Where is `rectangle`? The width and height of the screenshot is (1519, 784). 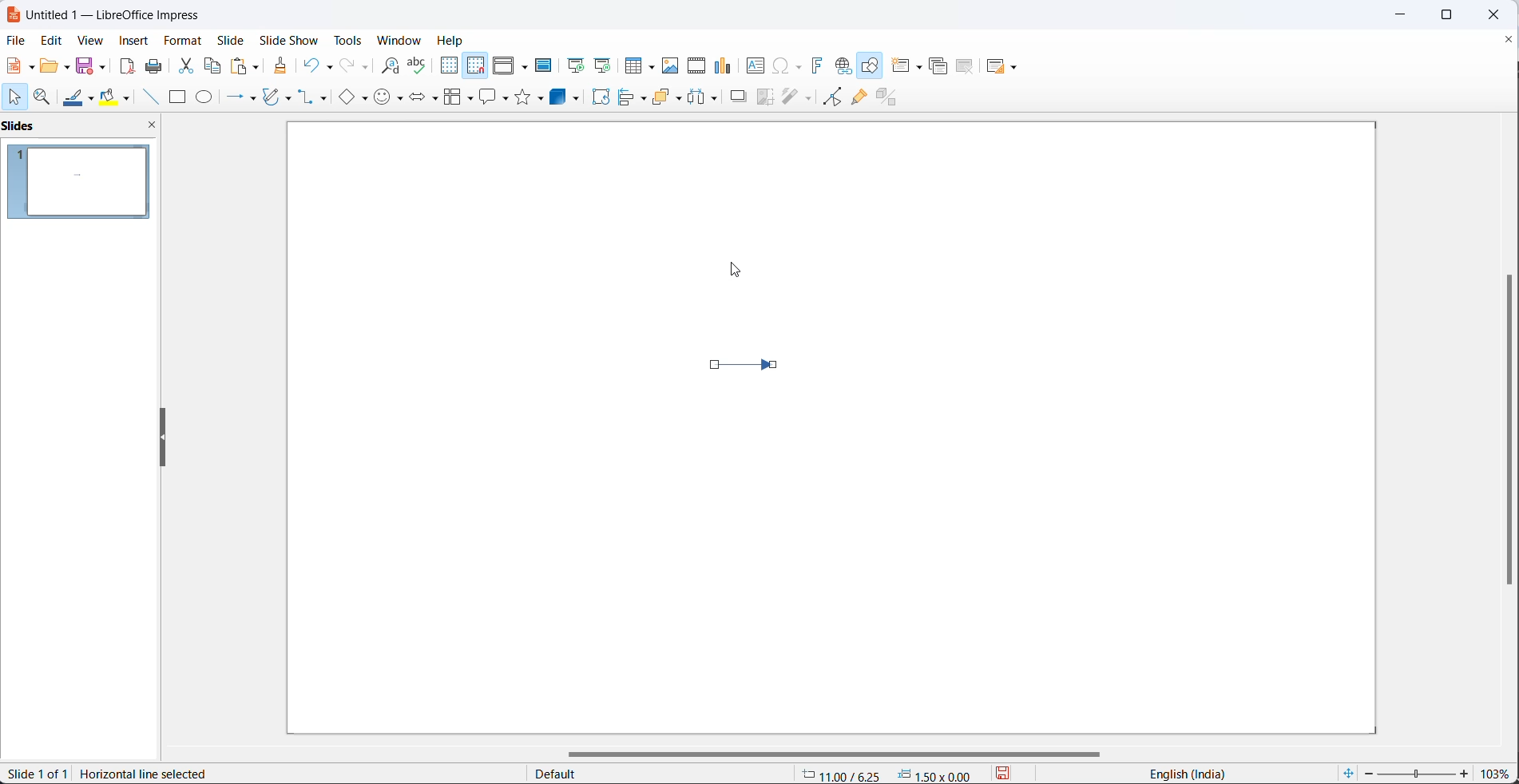 rectangle is located at coordinates (176, 97).